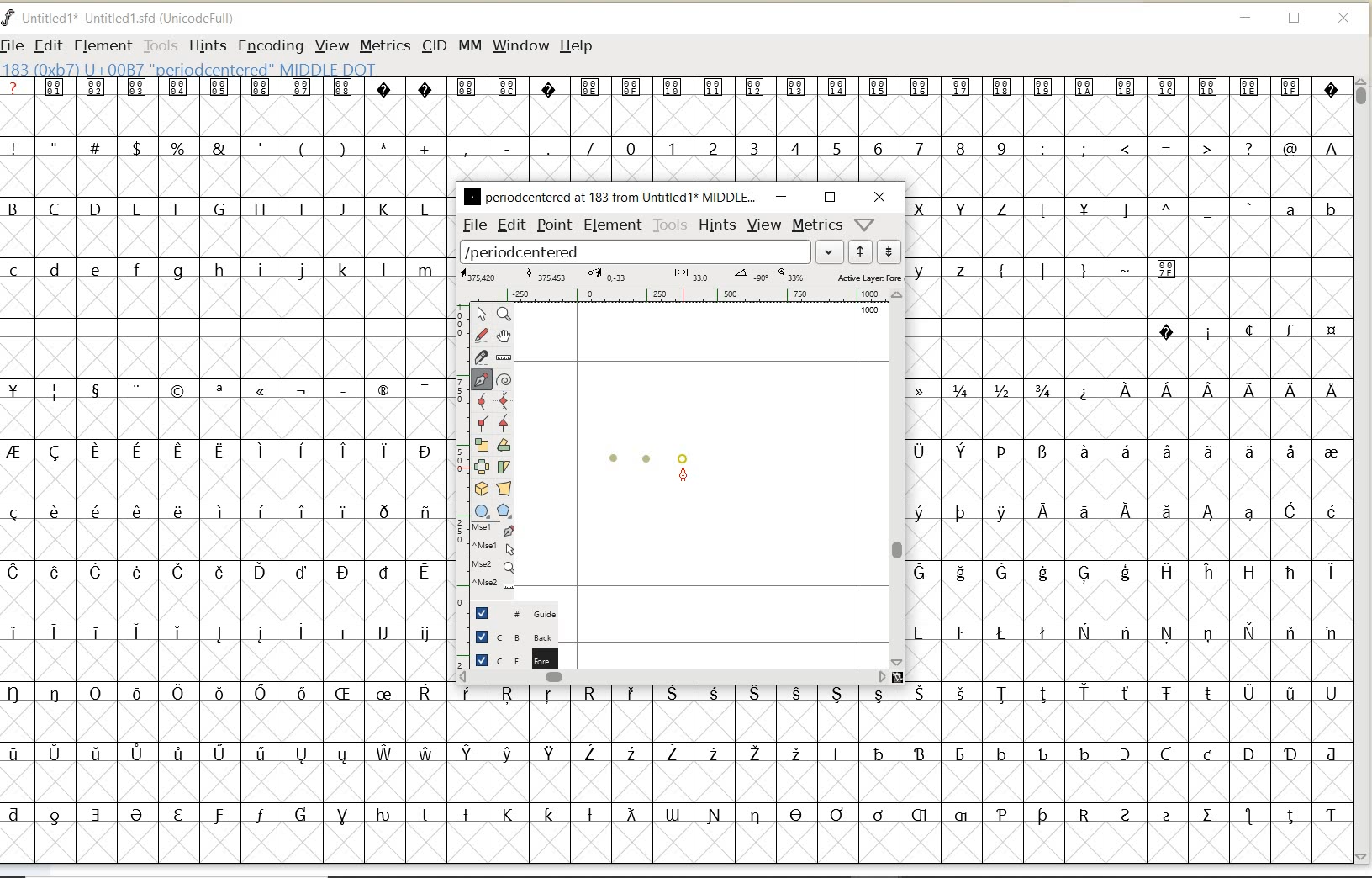 This screenshot has height=878, width=1372. Describe the element at coordinates (504, 357) in the screenshot. I see `measure a distance, angle between points` at that location.